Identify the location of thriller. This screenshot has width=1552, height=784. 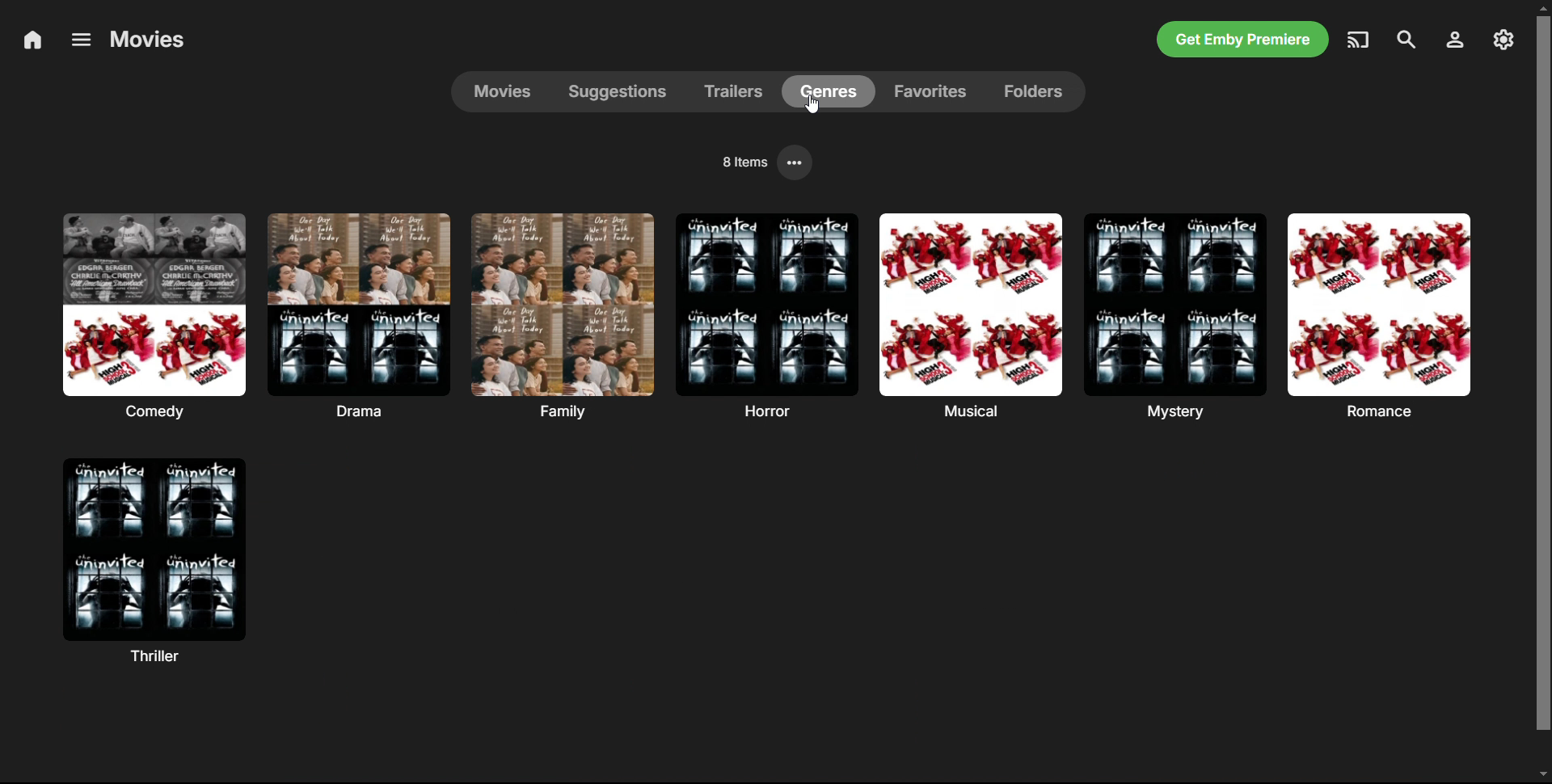
(154, 560).